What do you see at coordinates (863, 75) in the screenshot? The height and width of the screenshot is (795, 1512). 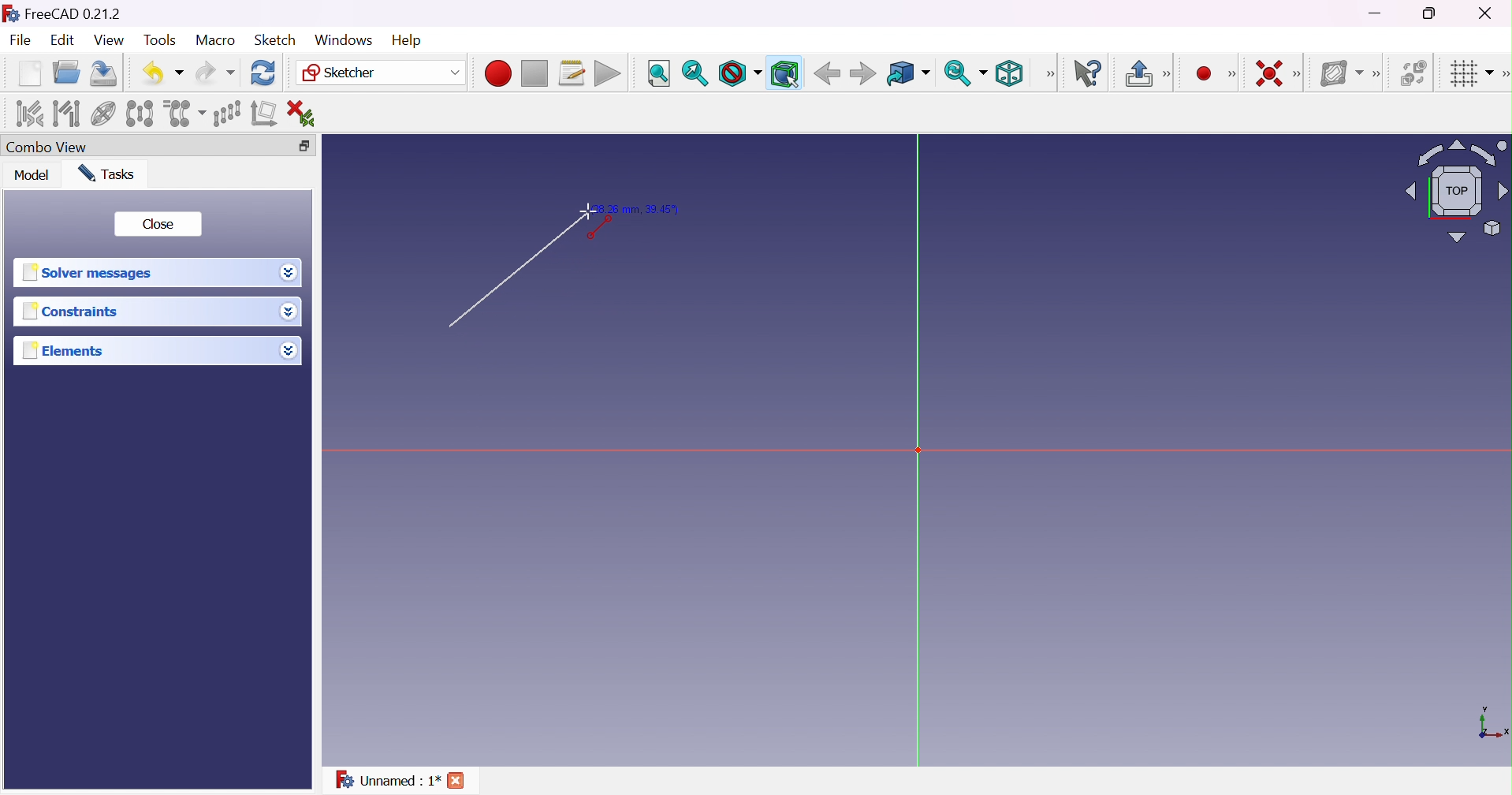 I see `Forward` at bounding box center [863, 75].